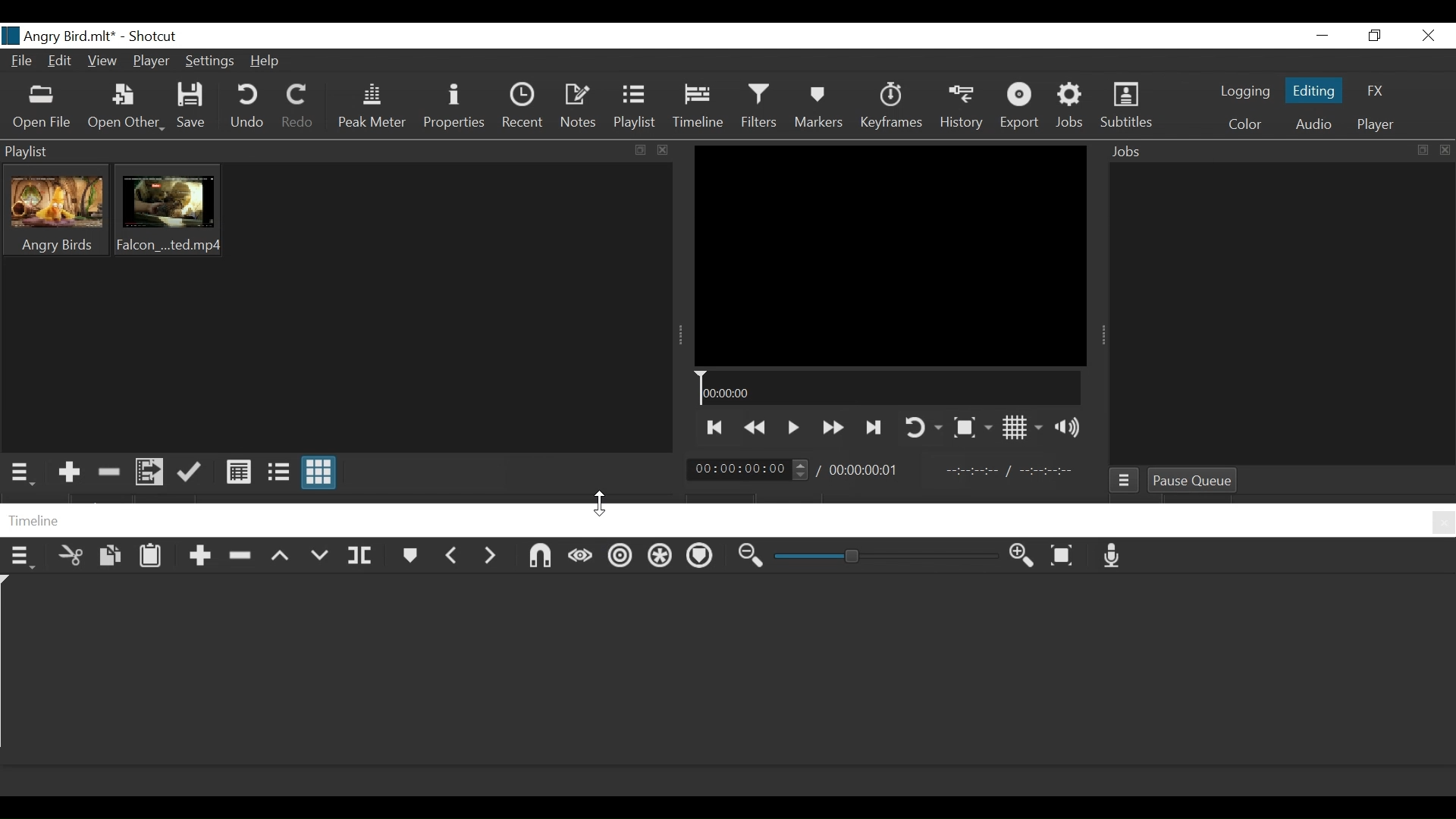 The image size is (1456, 819). What do you see at coordinates (111, 560) in the screenshot?
I see `Copy` at bounding box center [111, 560].